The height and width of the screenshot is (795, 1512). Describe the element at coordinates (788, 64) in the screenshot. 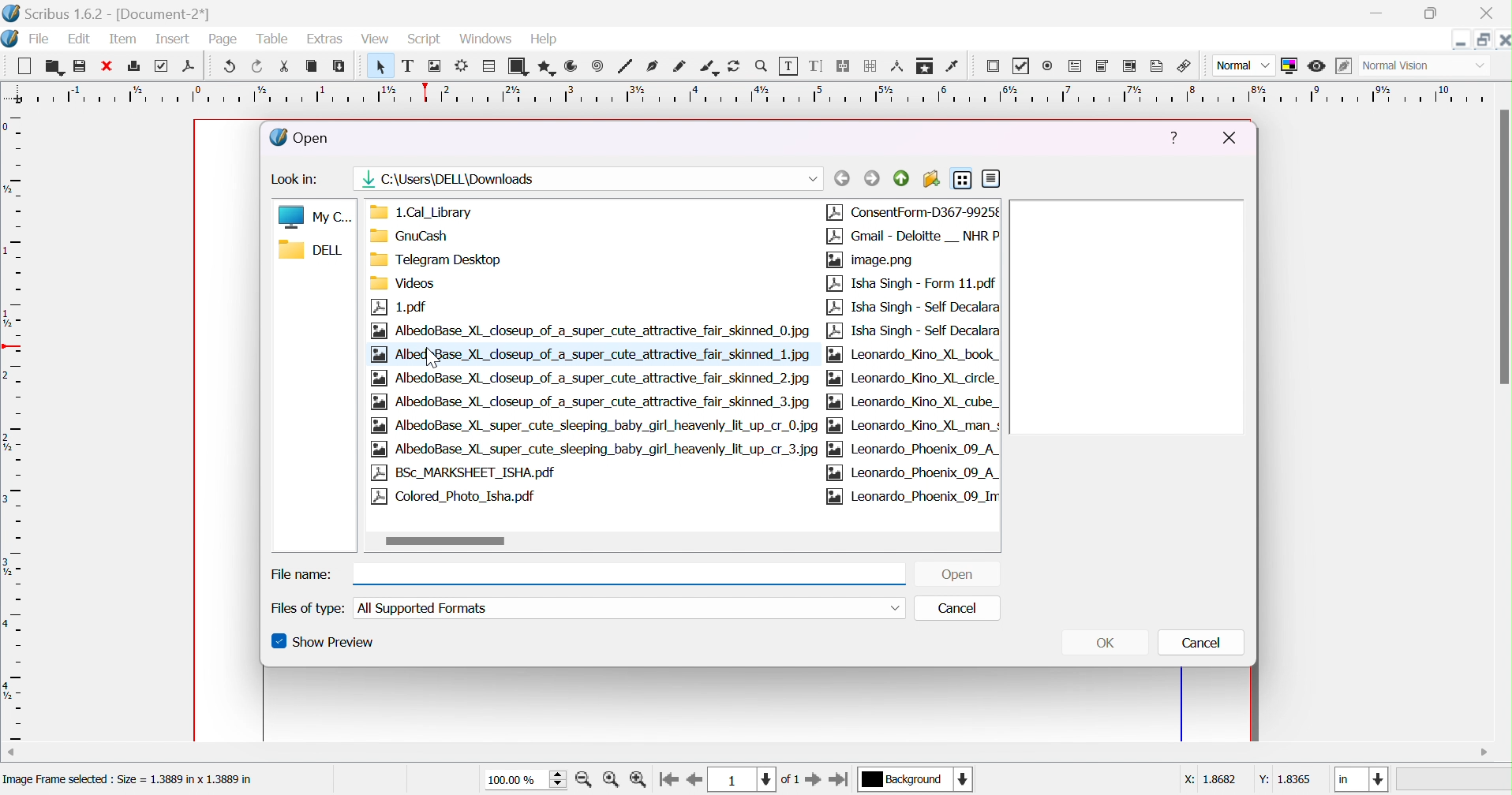

I see `edit contents of frame` at that location.